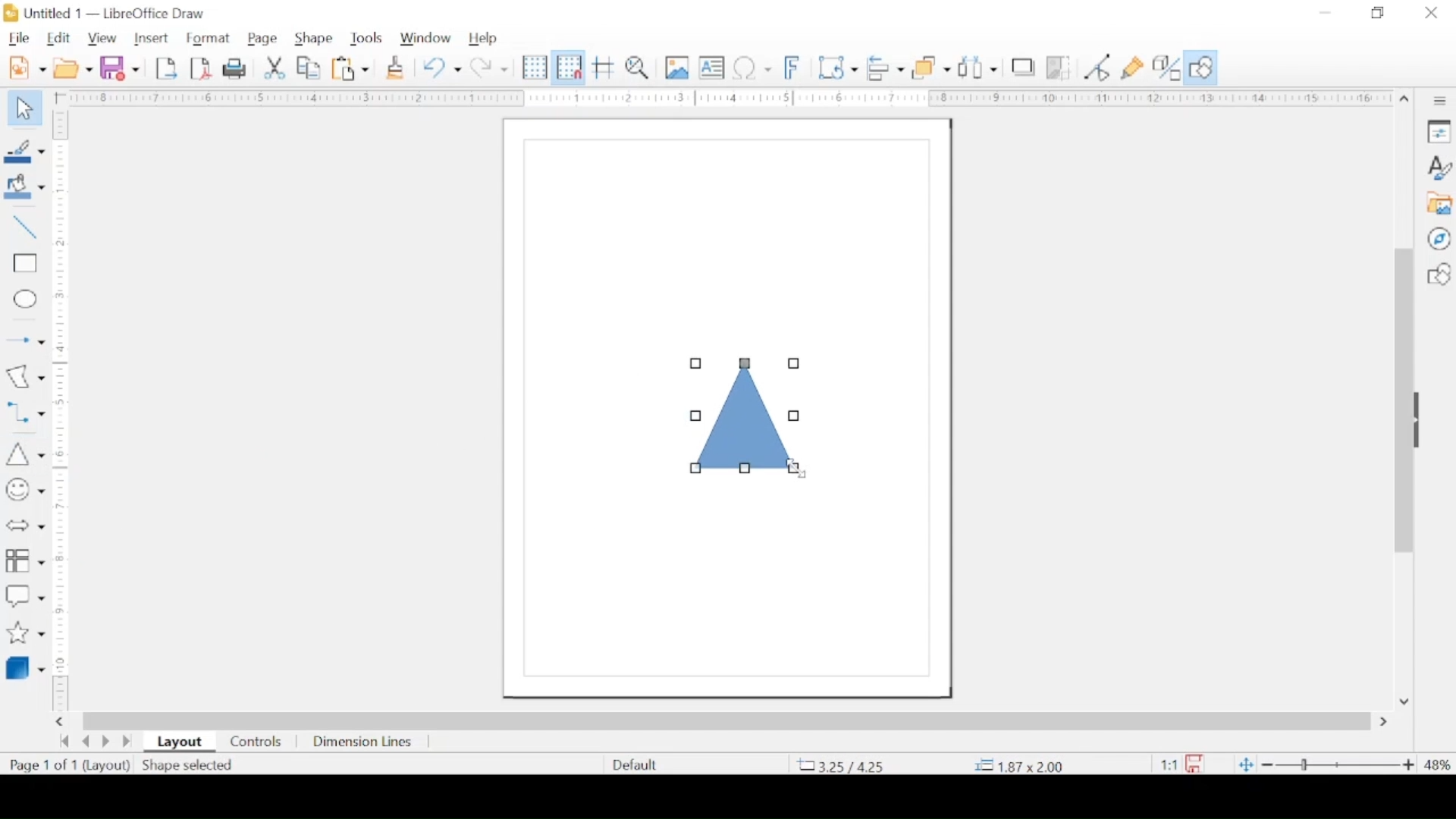 The height and width of the screenshot is (819, 1456). What do you see at coordinates (1432, 13) in the screenshot?
I see `close` at bounding box center [1432, 13].